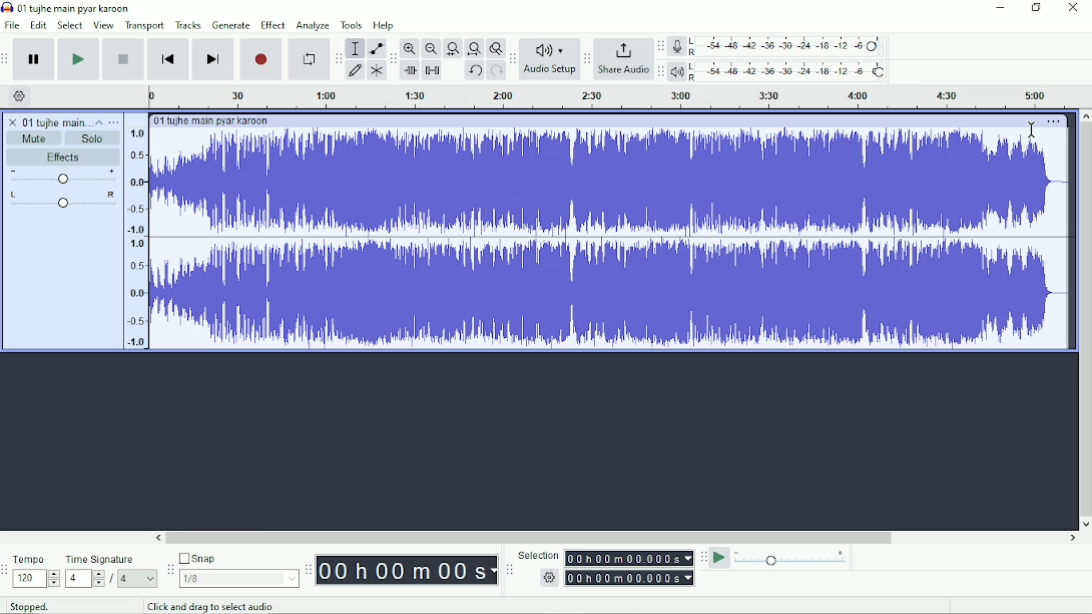 The image size is (1092, 614). Describe the element at coordinates (168, 60) in the screenshot. I see `Skip to start` at that location.